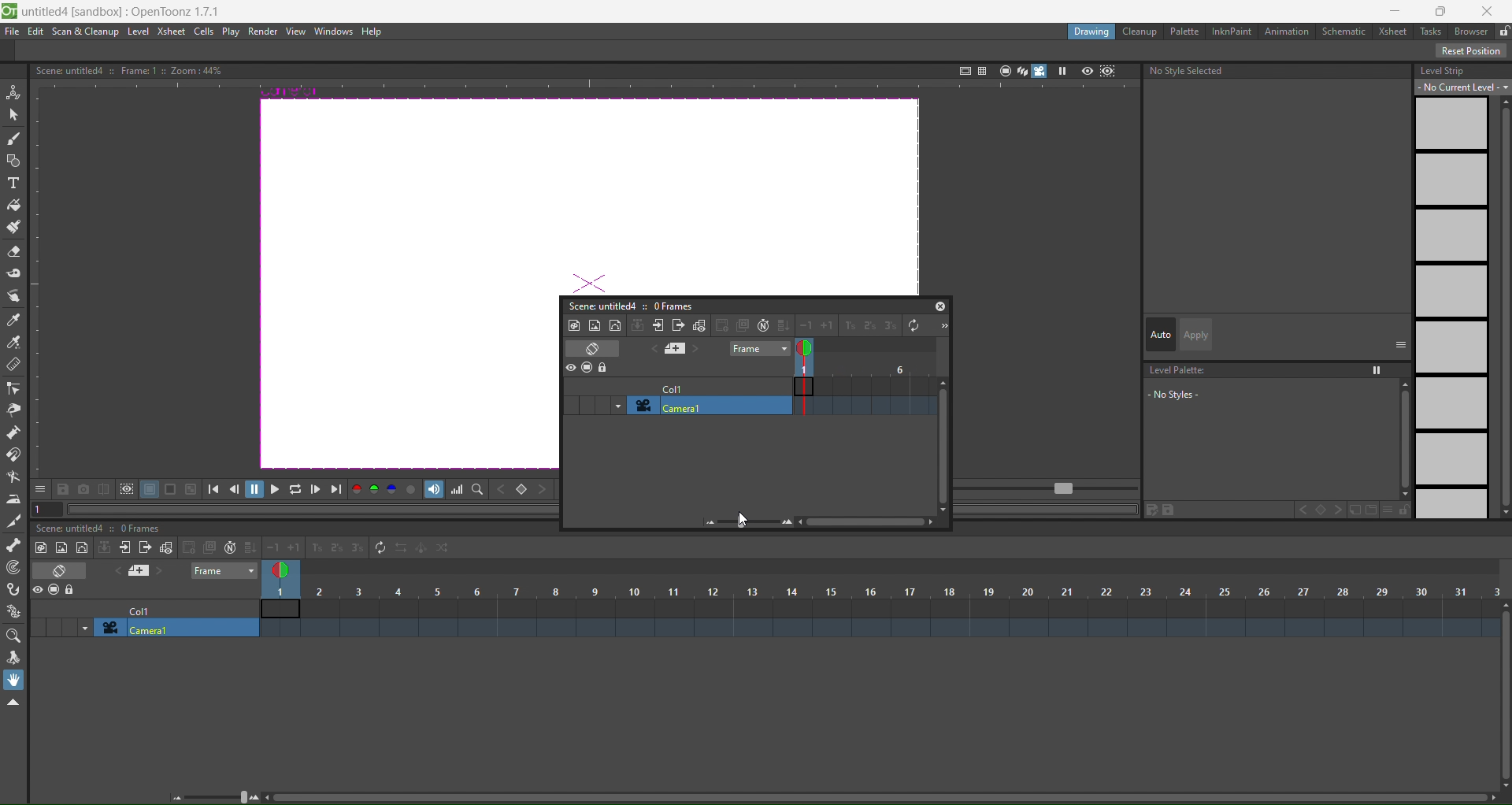 The height and width of the screenshot is (805, 1512). Describe the element at coordinates (1395, 32) in the screenshot. I see `xsheet` at that location.